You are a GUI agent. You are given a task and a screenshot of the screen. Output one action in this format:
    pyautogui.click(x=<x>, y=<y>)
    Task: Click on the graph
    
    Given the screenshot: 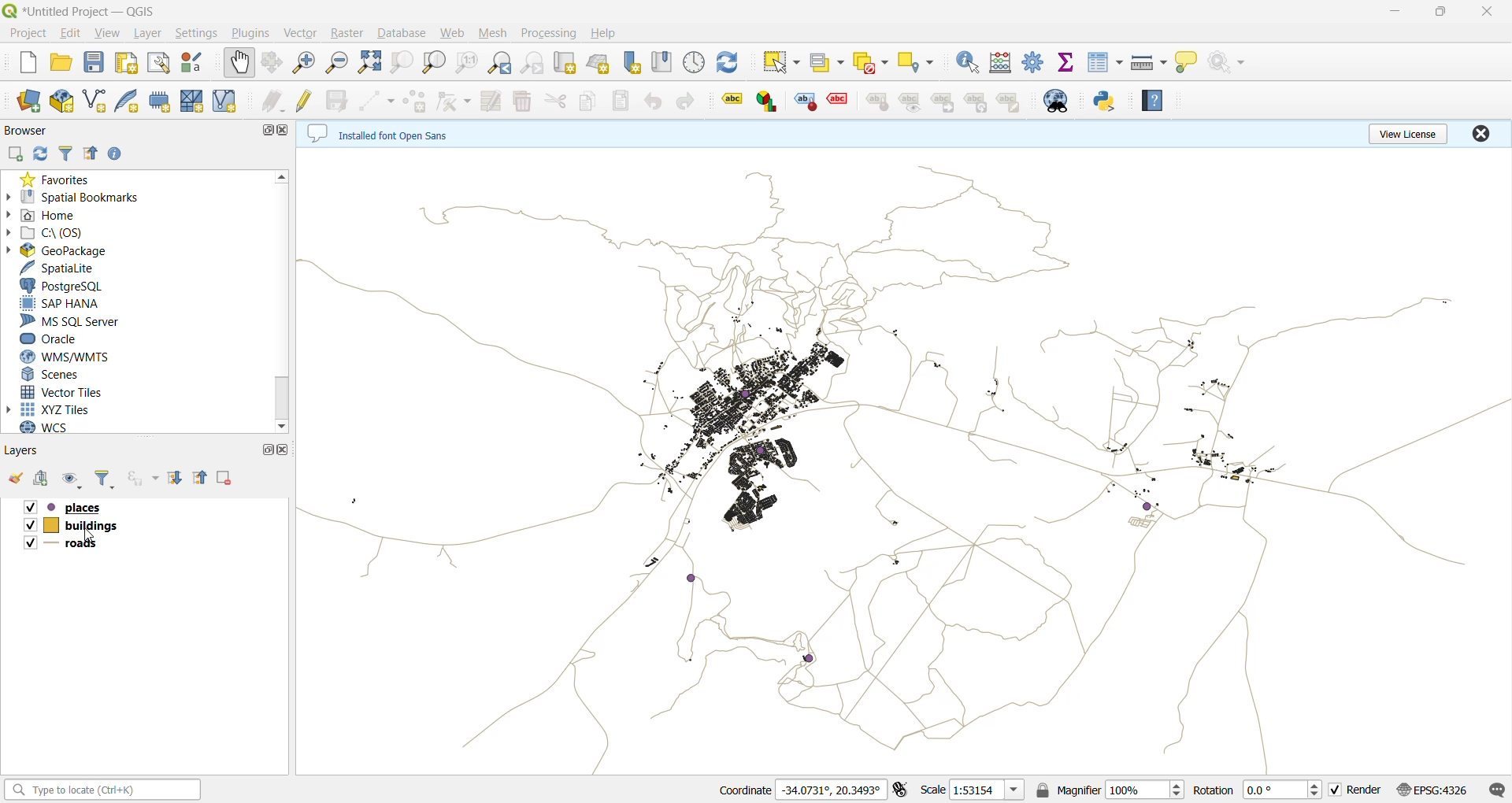 What is the action you would take?
    pyautogui.click(x=767, y=101)
    